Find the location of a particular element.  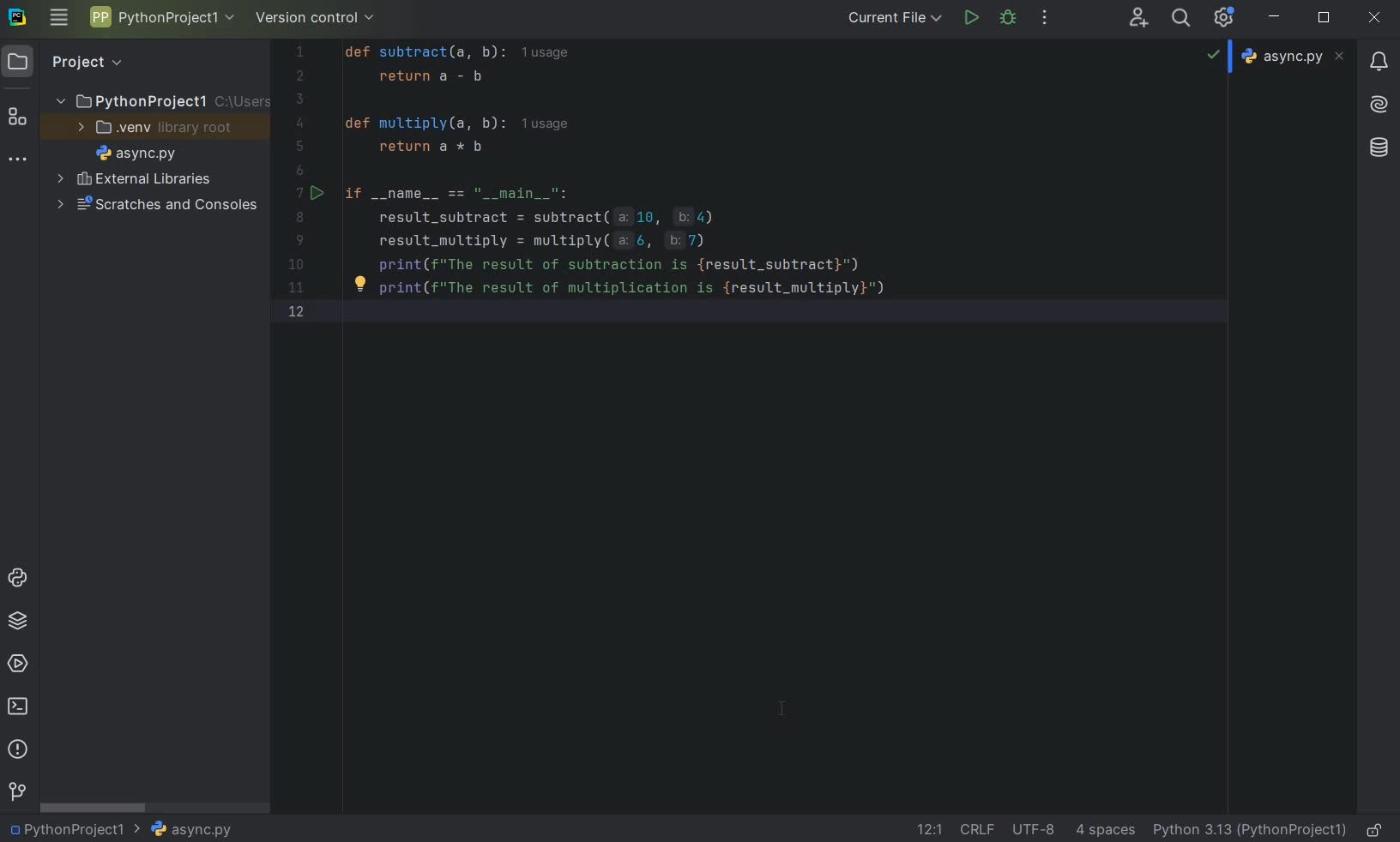

SERVICES is located at coordinates (18, 665).